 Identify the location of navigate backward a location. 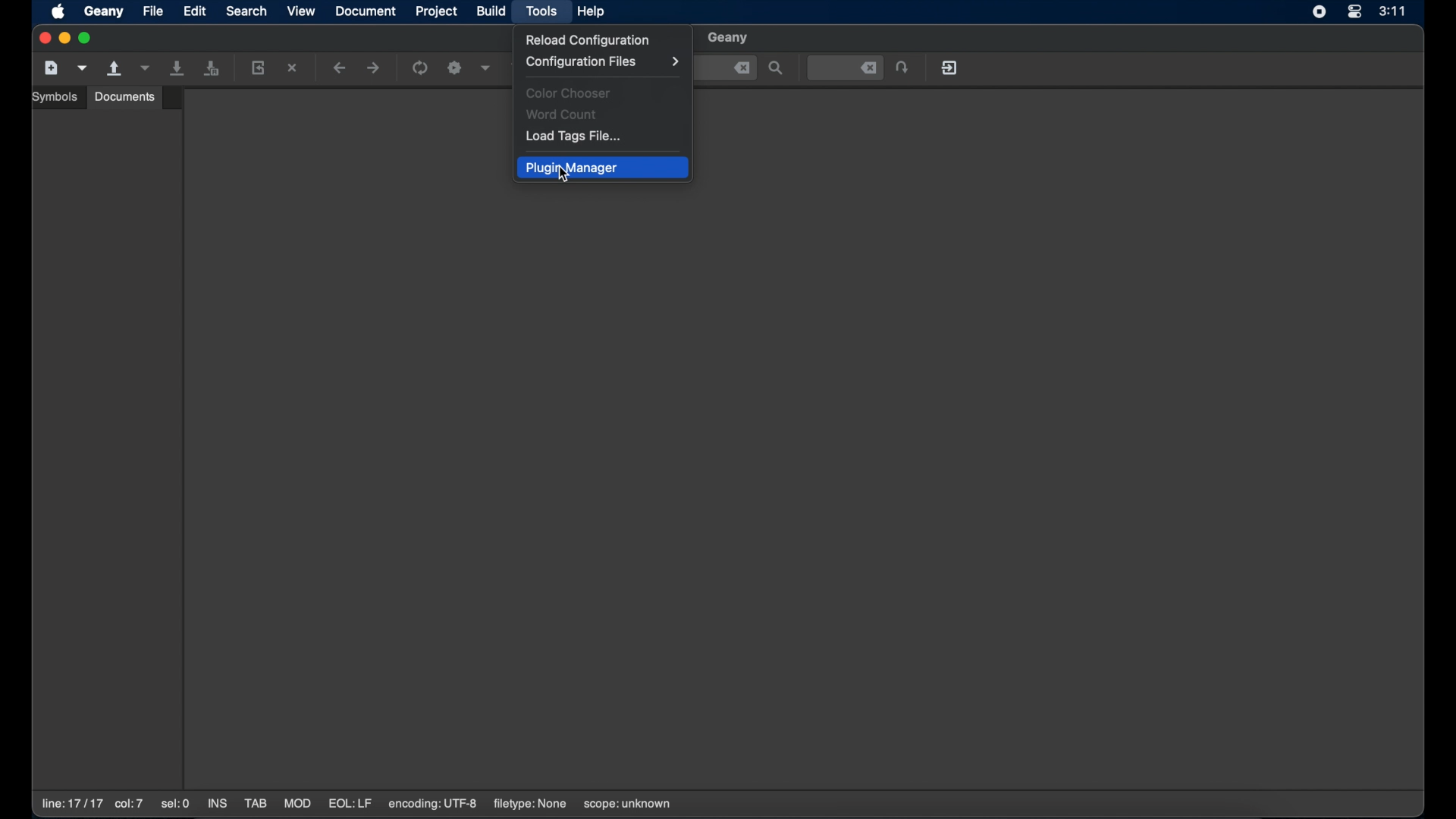
(340, 69).